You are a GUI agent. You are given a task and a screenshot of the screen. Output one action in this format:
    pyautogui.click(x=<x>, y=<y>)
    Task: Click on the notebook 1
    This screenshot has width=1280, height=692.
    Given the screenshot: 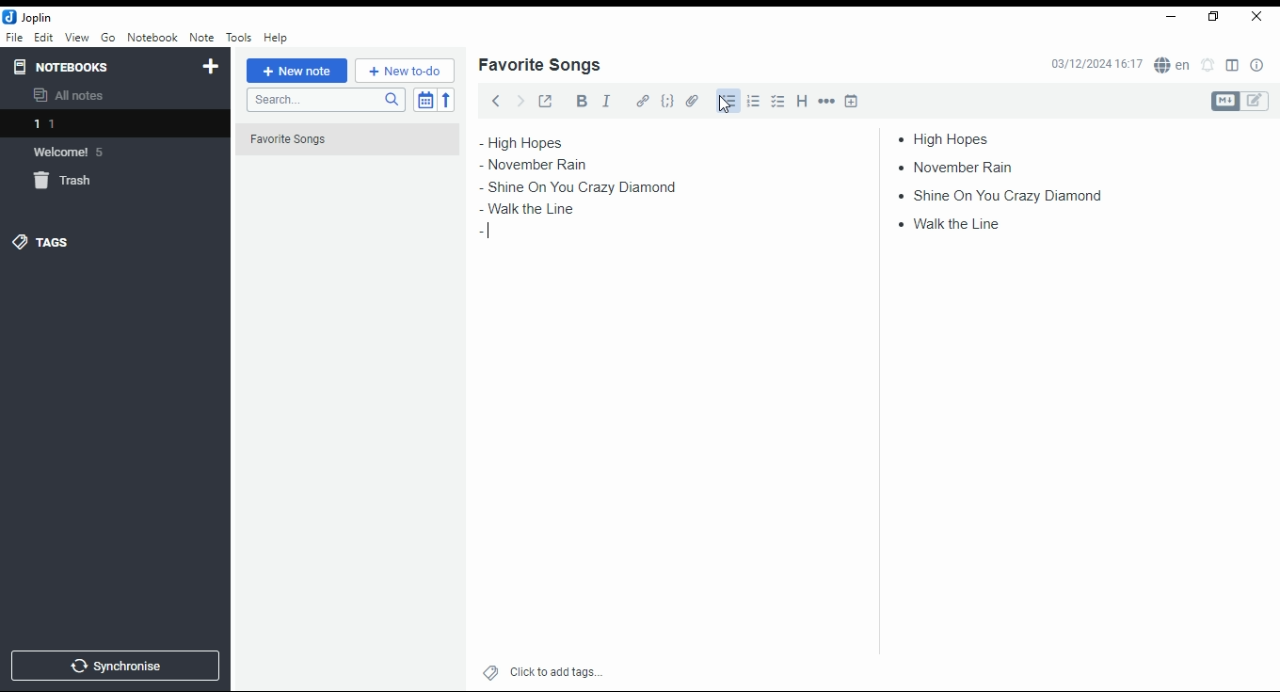 What is the action you would take?
    pyautogui.click(x=73, y=126)
    